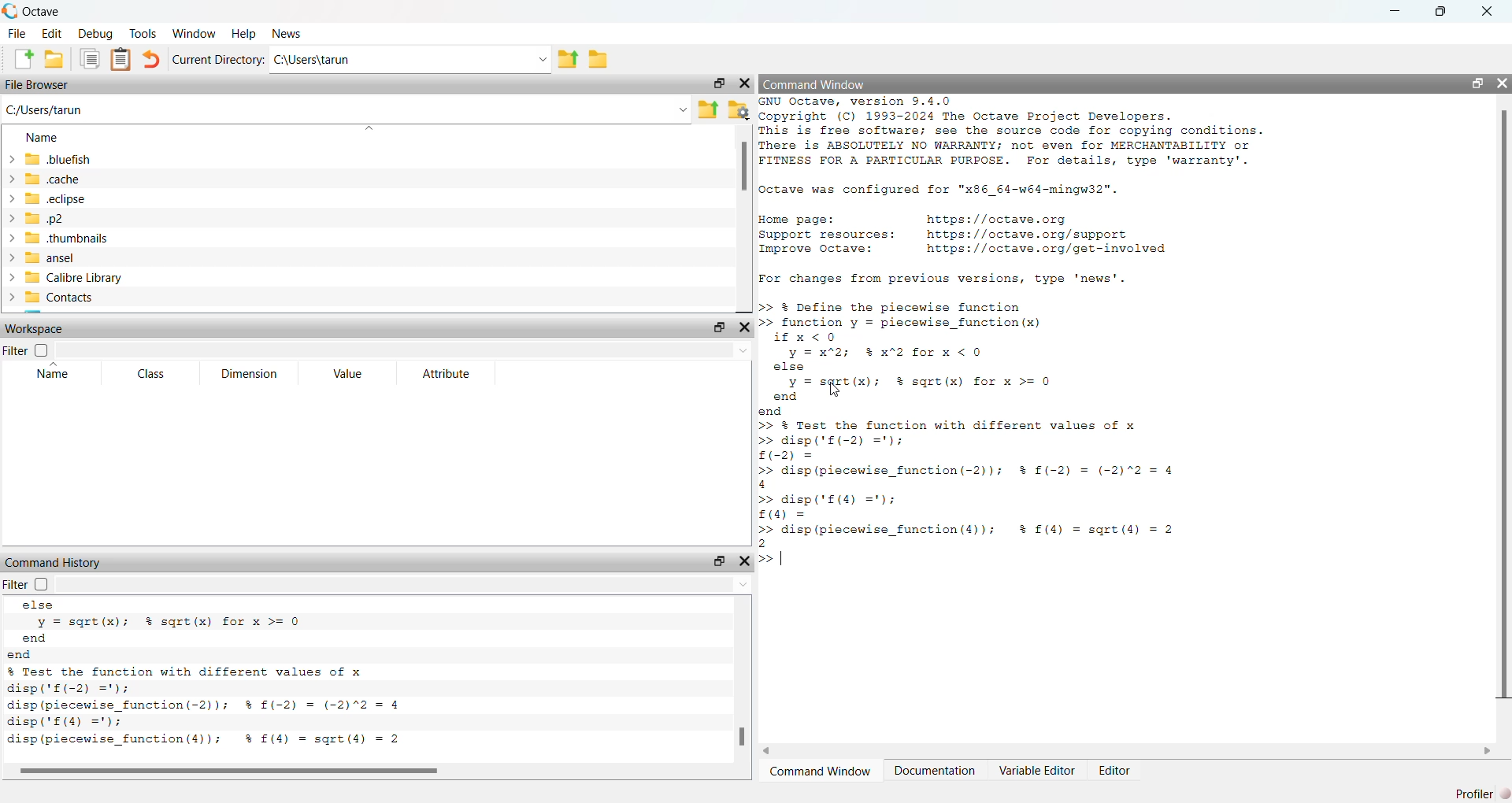 Image resolution: width=1512 pixels, height=803 pixels. Describe the element at coordinates (1441, 13) in the screenshot. I see `Maximize/Restore` at that location.